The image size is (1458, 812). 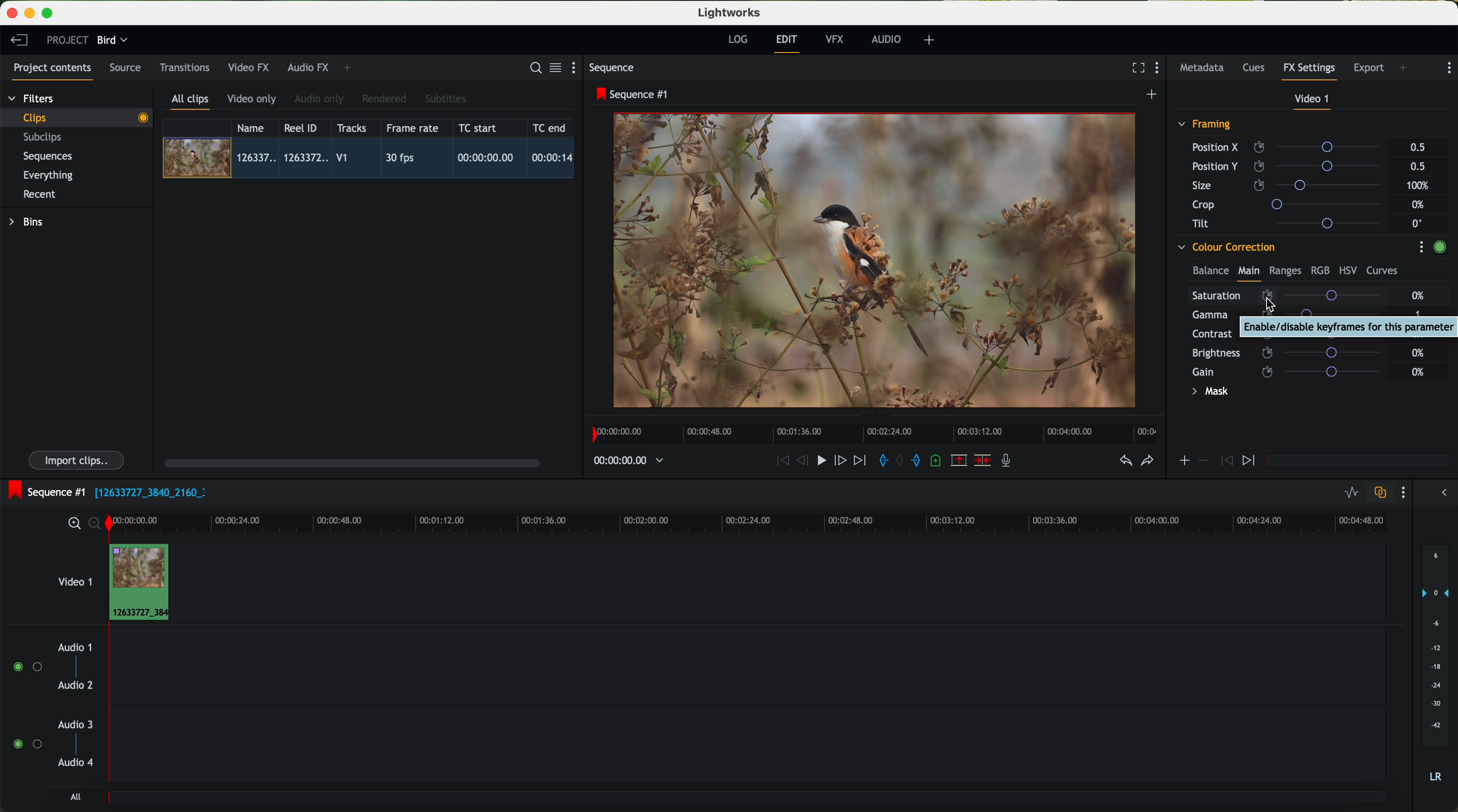 I want to click on toggle between list and title view, so click(x=554, y=67).